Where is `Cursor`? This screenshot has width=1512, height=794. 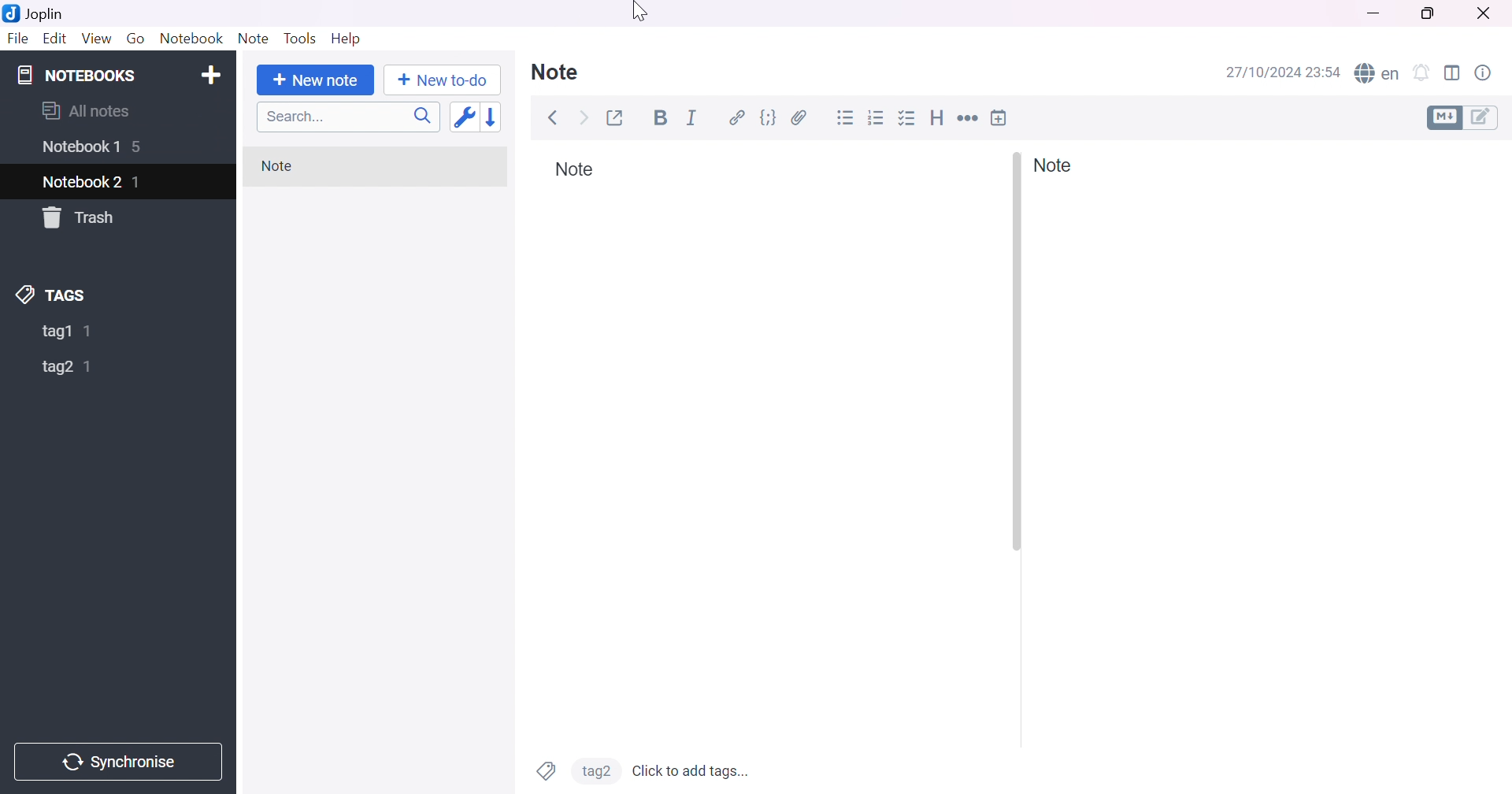
Cursor is located at coordinates (98, 179).